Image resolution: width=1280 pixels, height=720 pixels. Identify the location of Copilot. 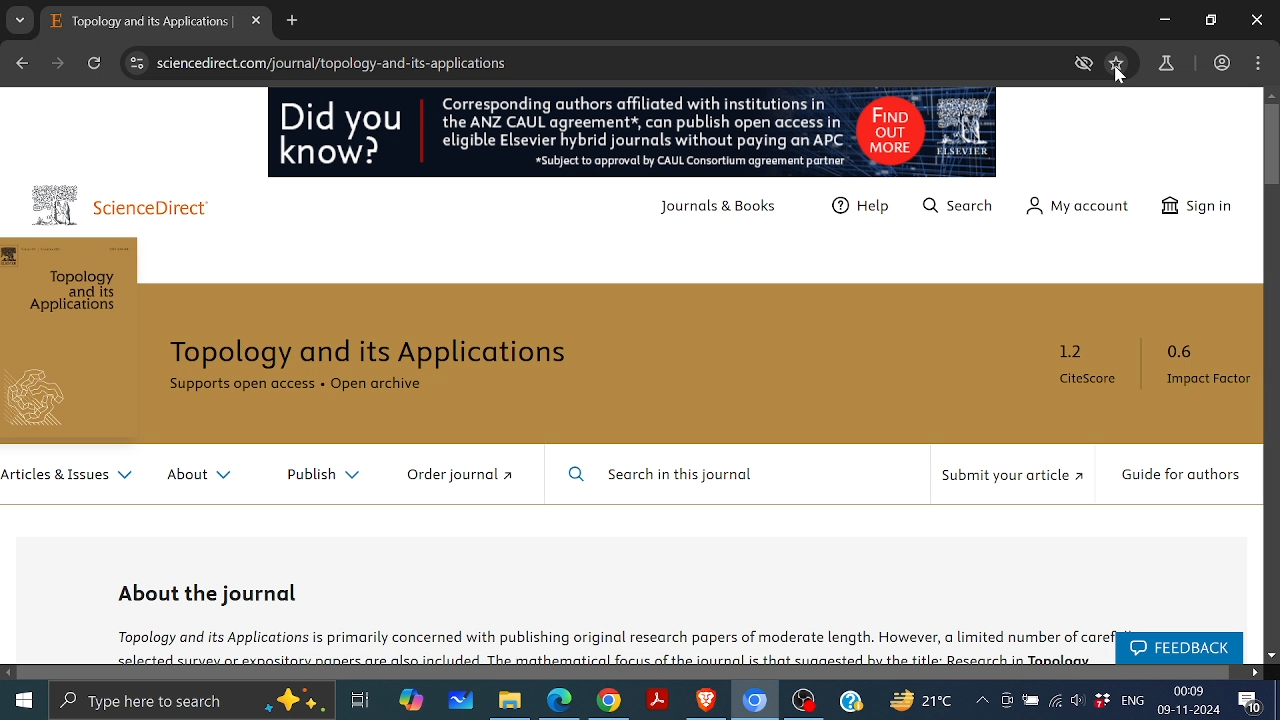
(408, 701).